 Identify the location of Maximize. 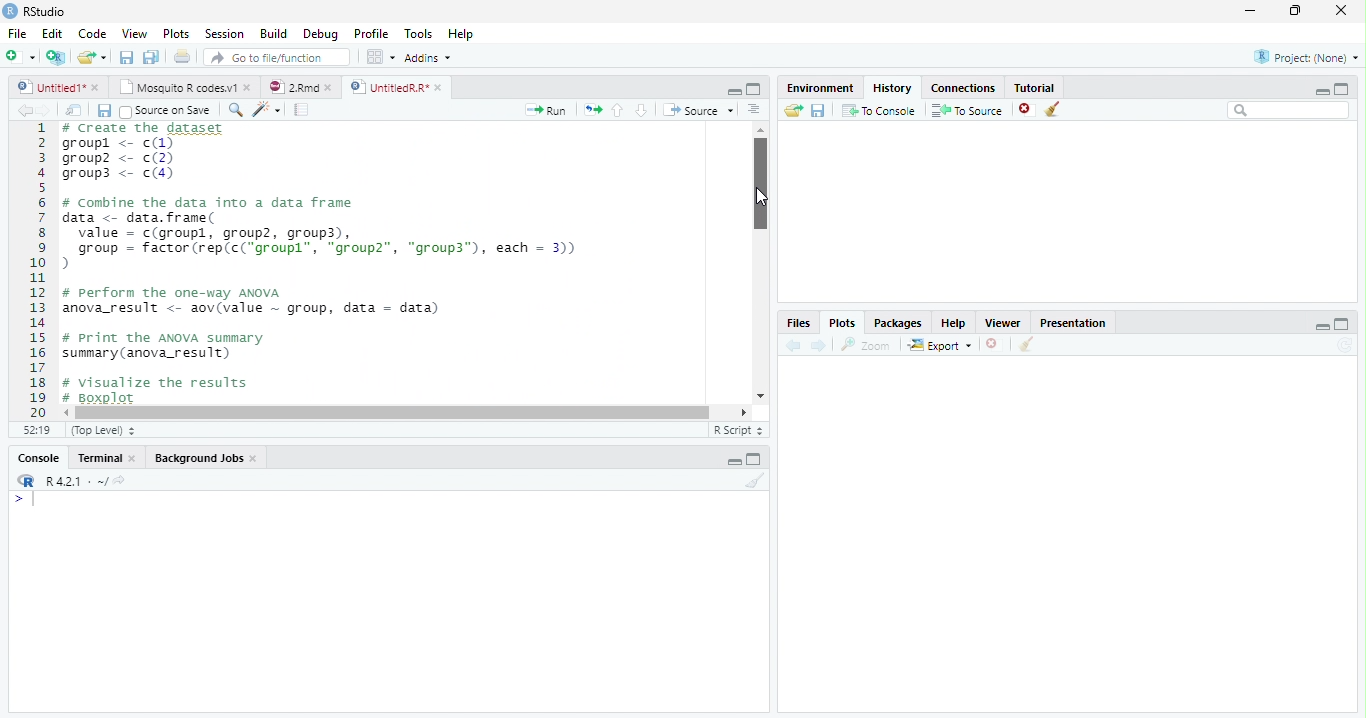
(754, 90).